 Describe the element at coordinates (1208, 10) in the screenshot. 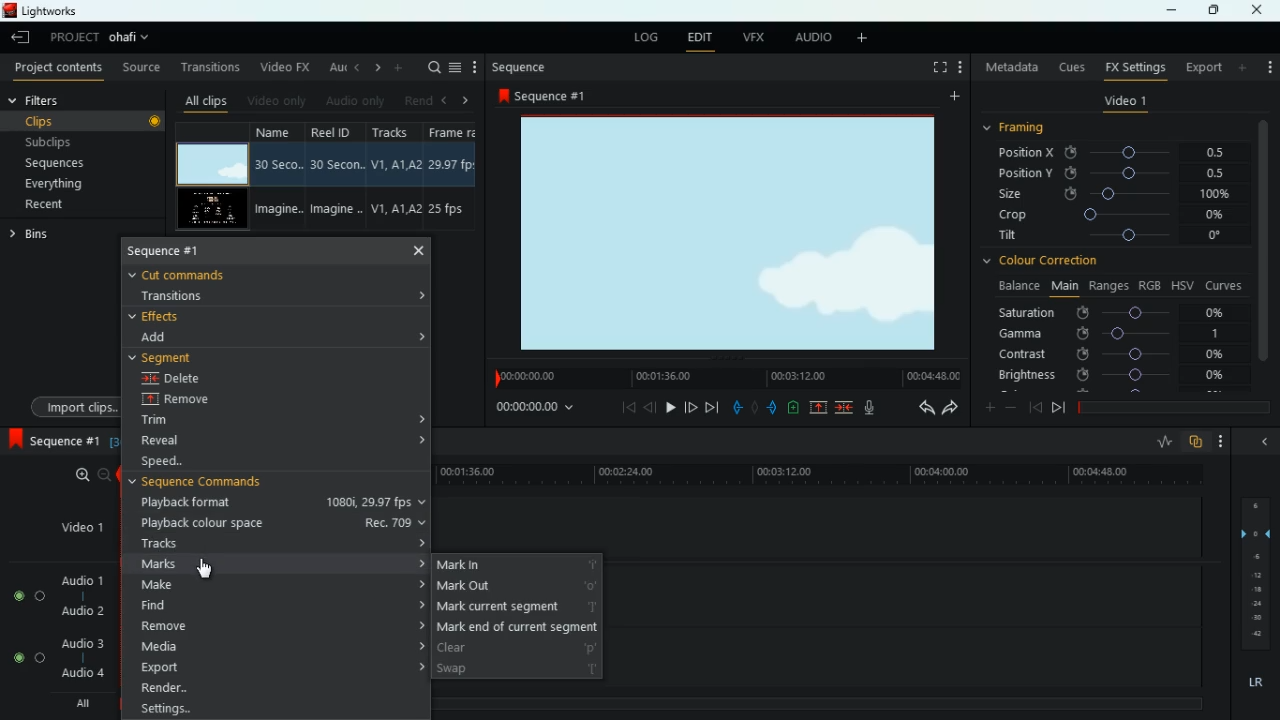

I see `maximize` at that location.